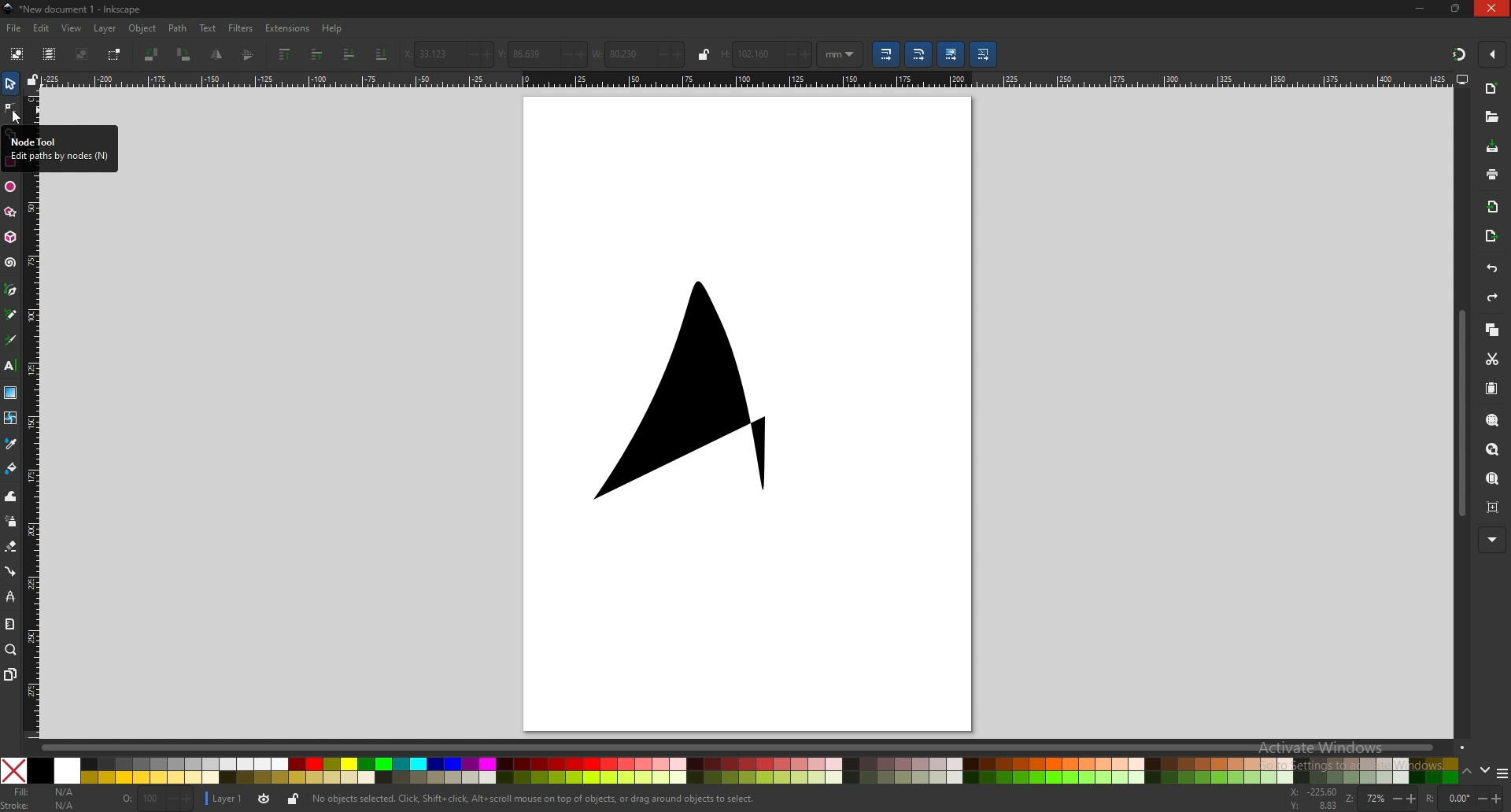 The width and height of the screenshot is (1511, 812). I want to click on deselect, so click(83, 55).